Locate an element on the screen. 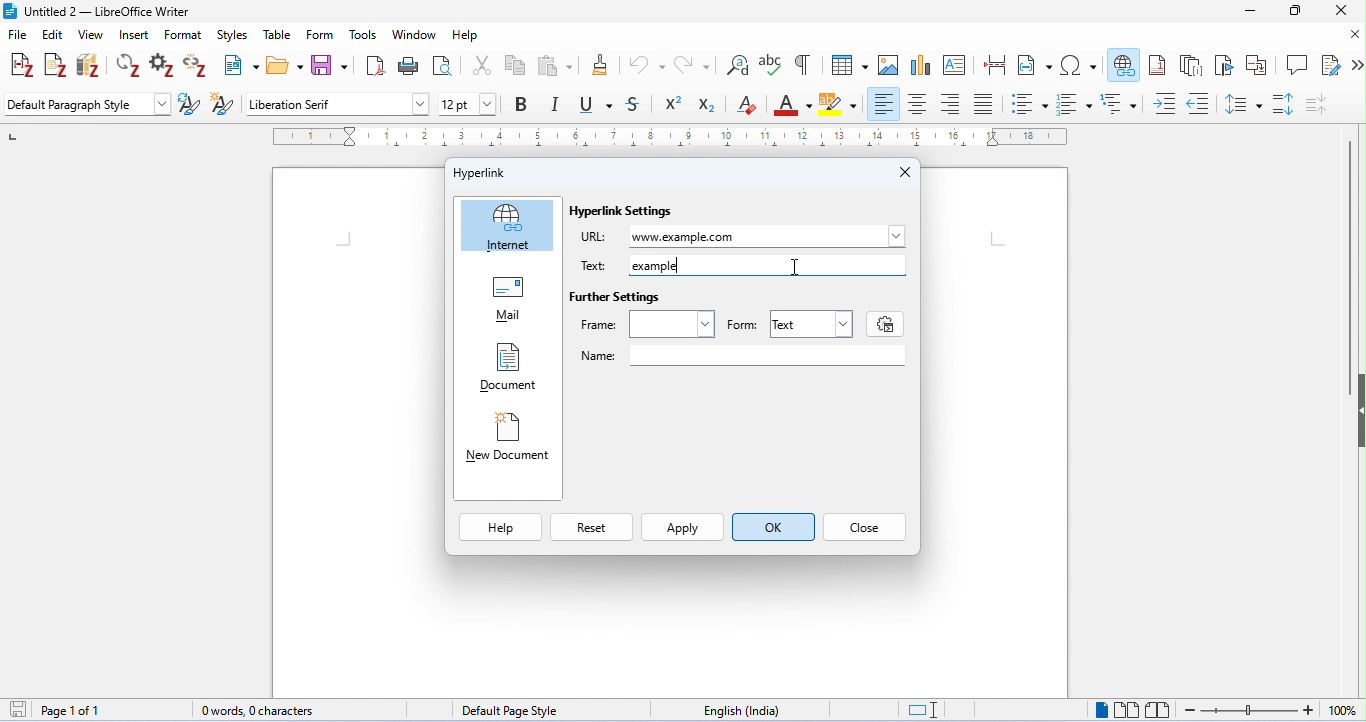 This screenshot has width=1366, height=722. Internet is located at coordinates (509, 224).